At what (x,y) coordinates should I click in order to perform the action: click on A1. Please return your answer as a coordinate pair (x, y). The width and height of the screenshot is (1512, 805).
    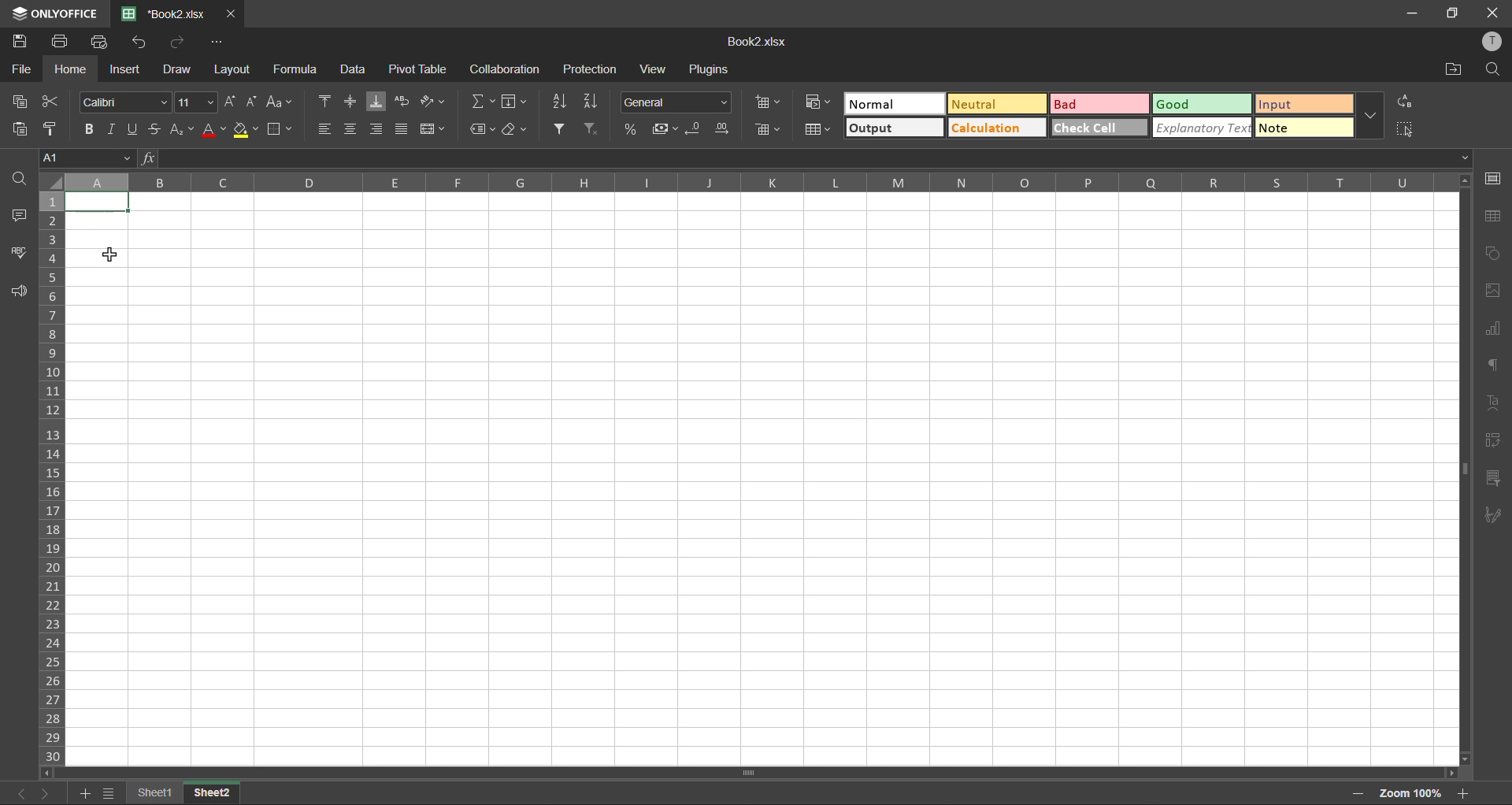
    Looking at the image, I should click on (85, 159).